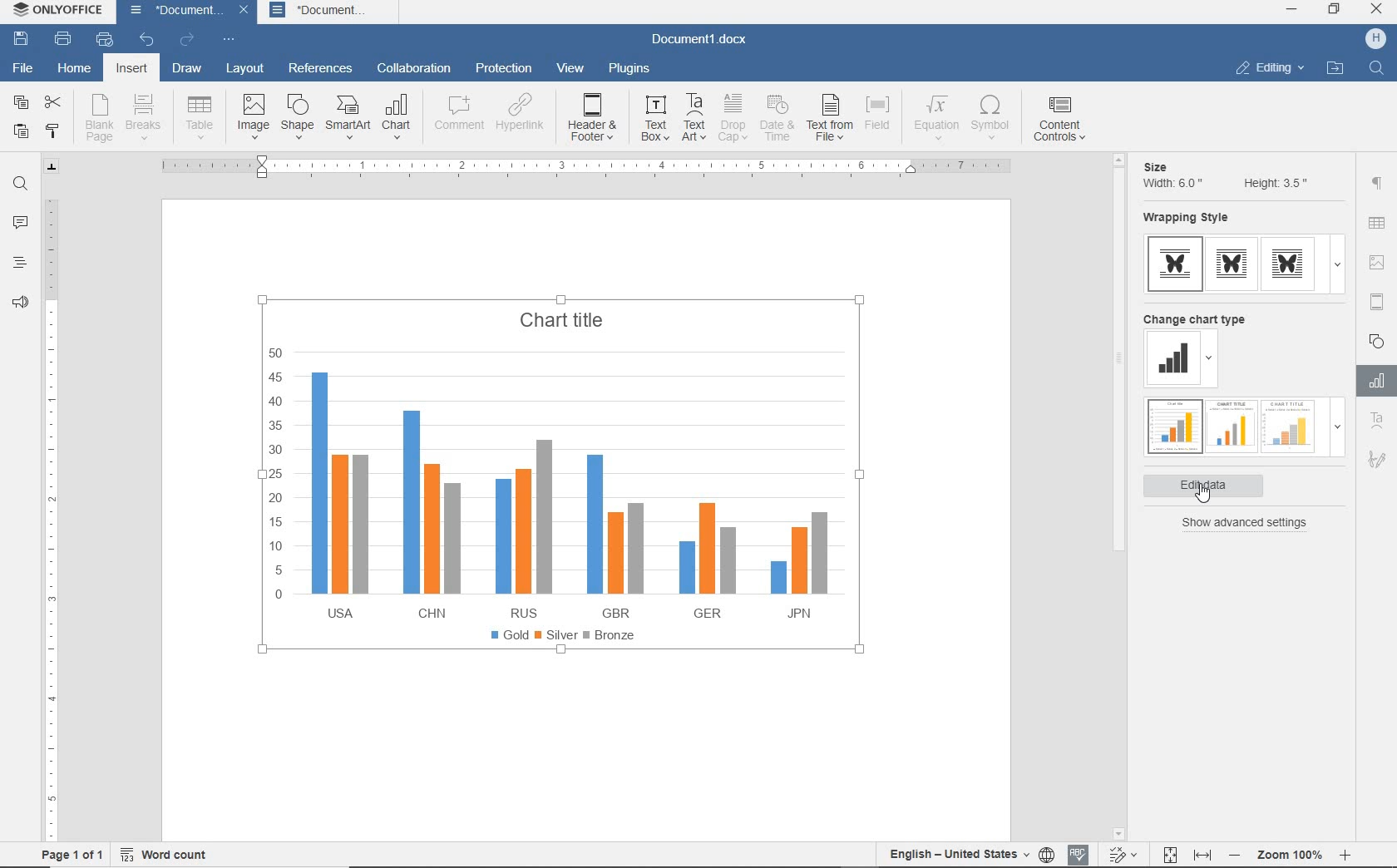 The width and height of the screenshot is (1397, 868). I want to click on paragraph settings, so click(1377, 183).